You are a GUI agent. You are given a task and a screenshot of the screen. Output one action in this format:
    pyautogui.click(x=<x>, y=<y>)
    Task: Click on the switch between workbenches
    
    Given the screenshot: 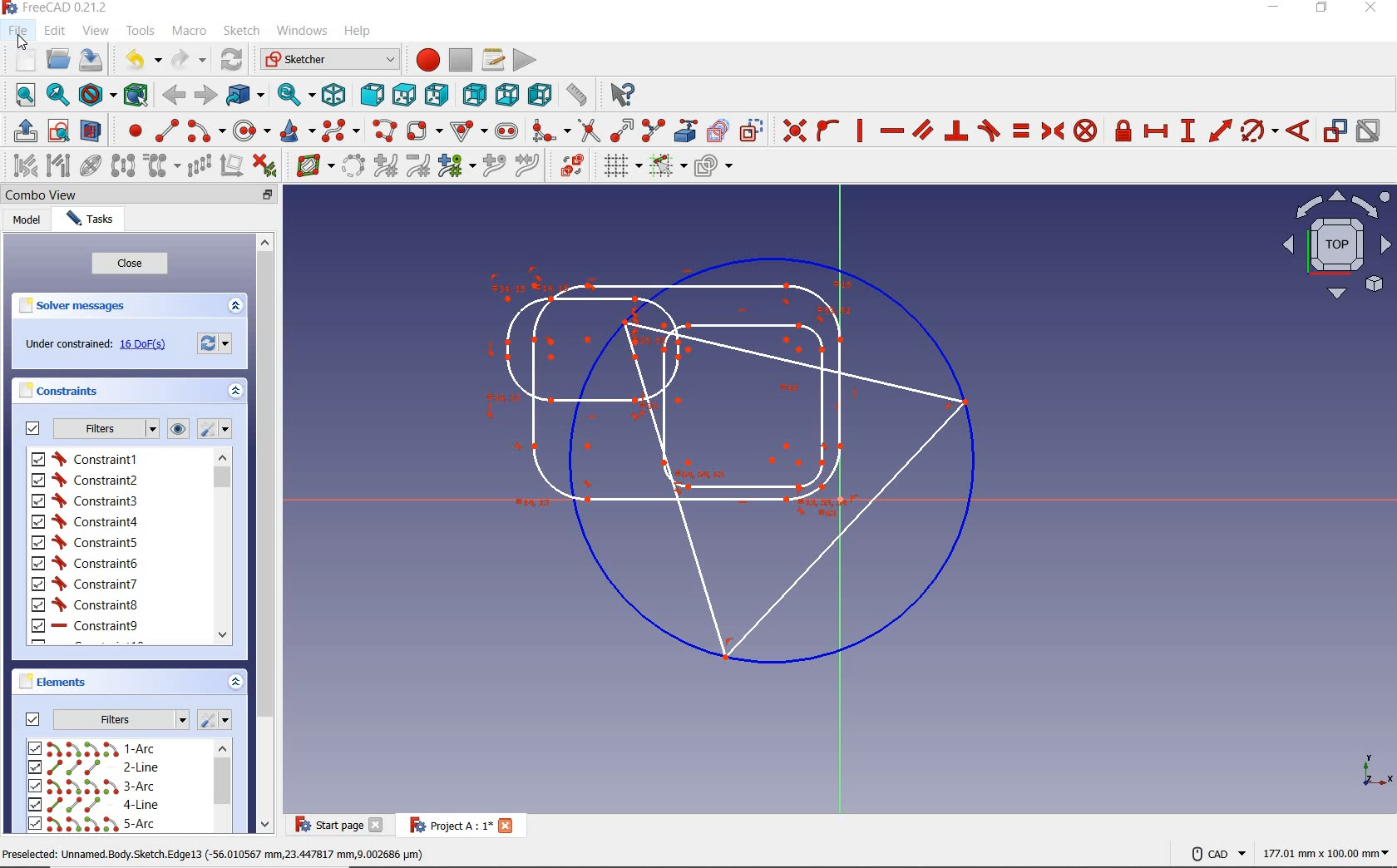 What is the action you would take?
    pyautogui.click(x=324, y=60)
    